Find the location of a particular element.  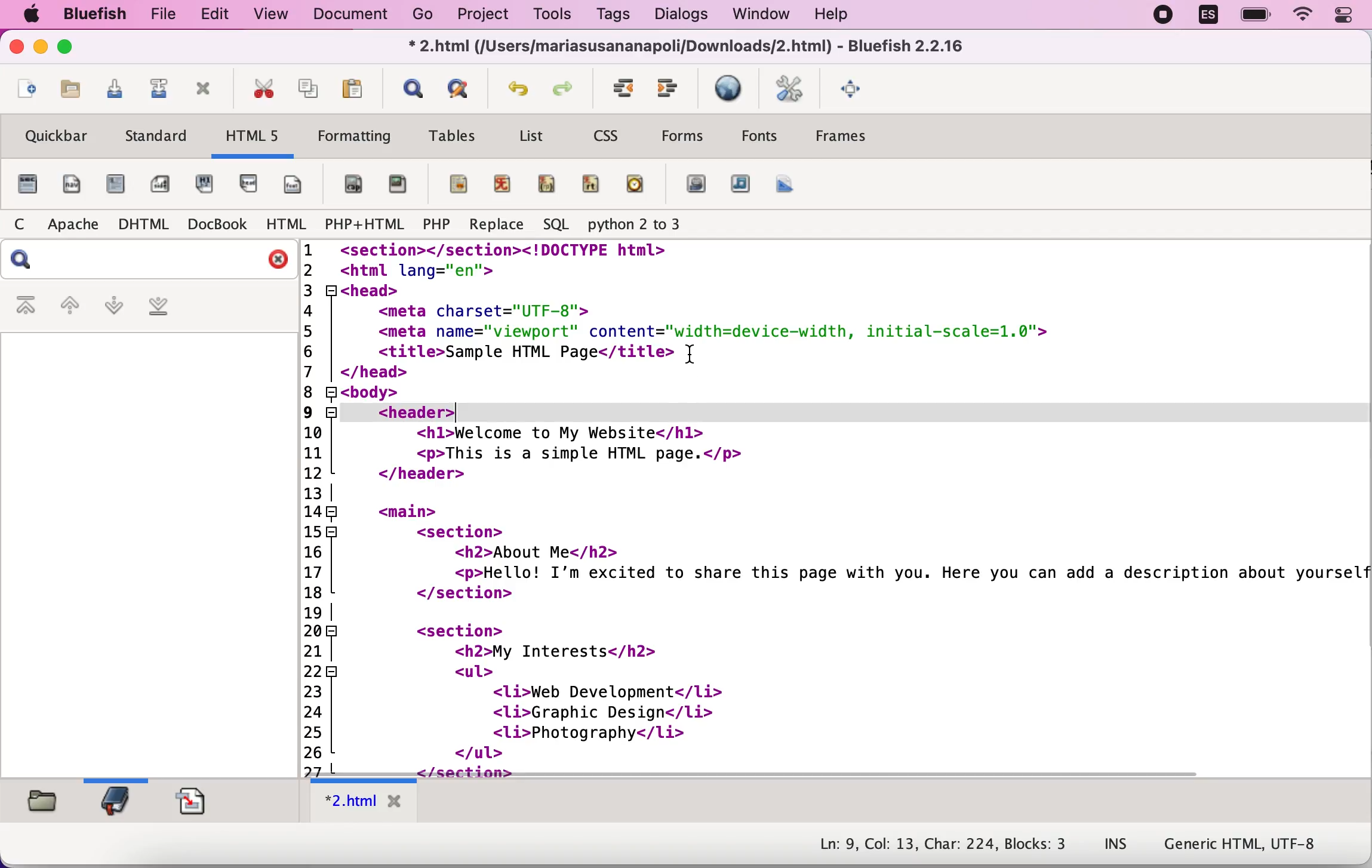

tags is located at coordinates (621, 16).